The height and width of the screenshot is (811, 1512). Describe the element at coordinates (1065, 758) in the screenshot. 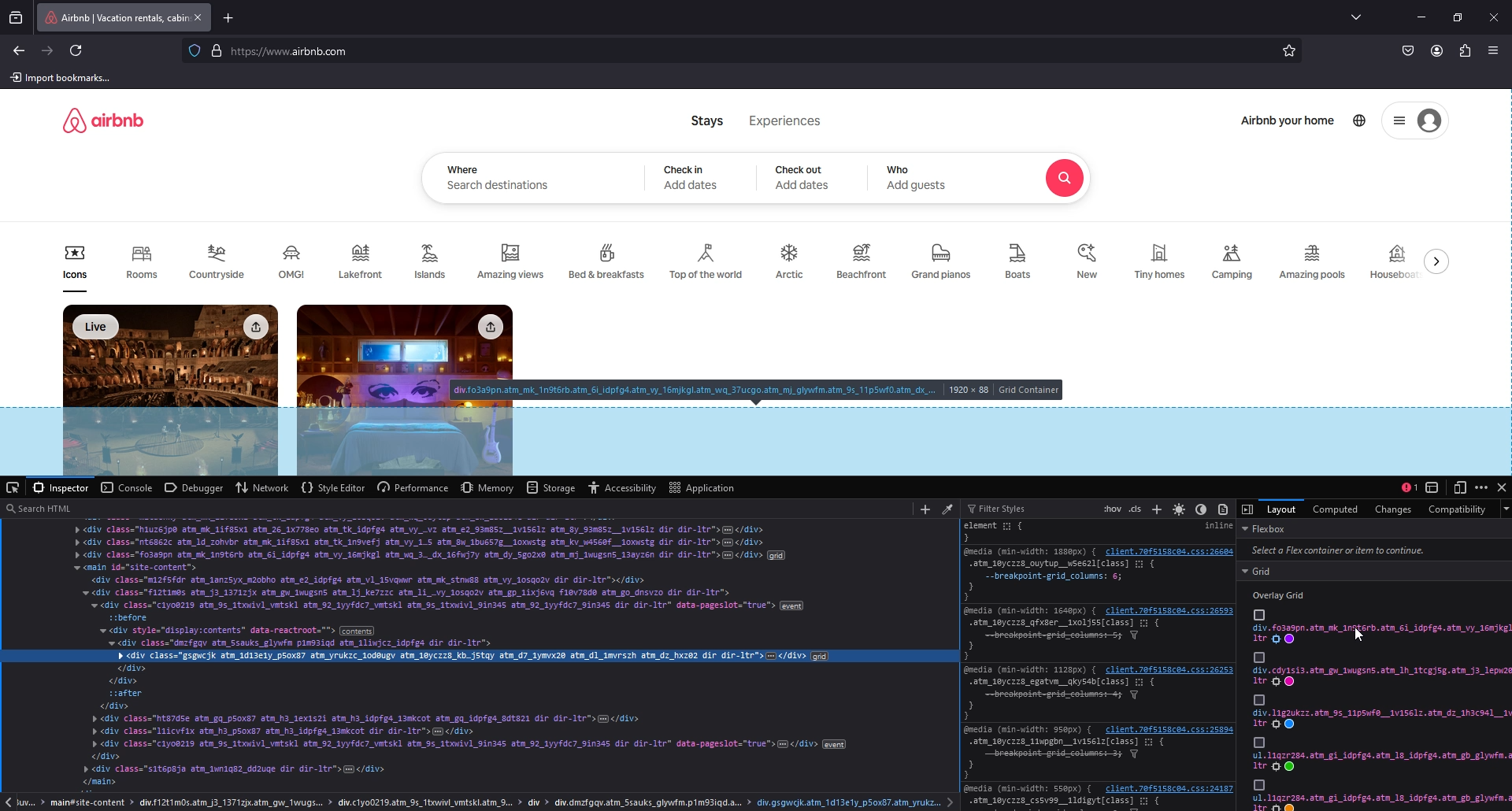

I see `elements` at that location.